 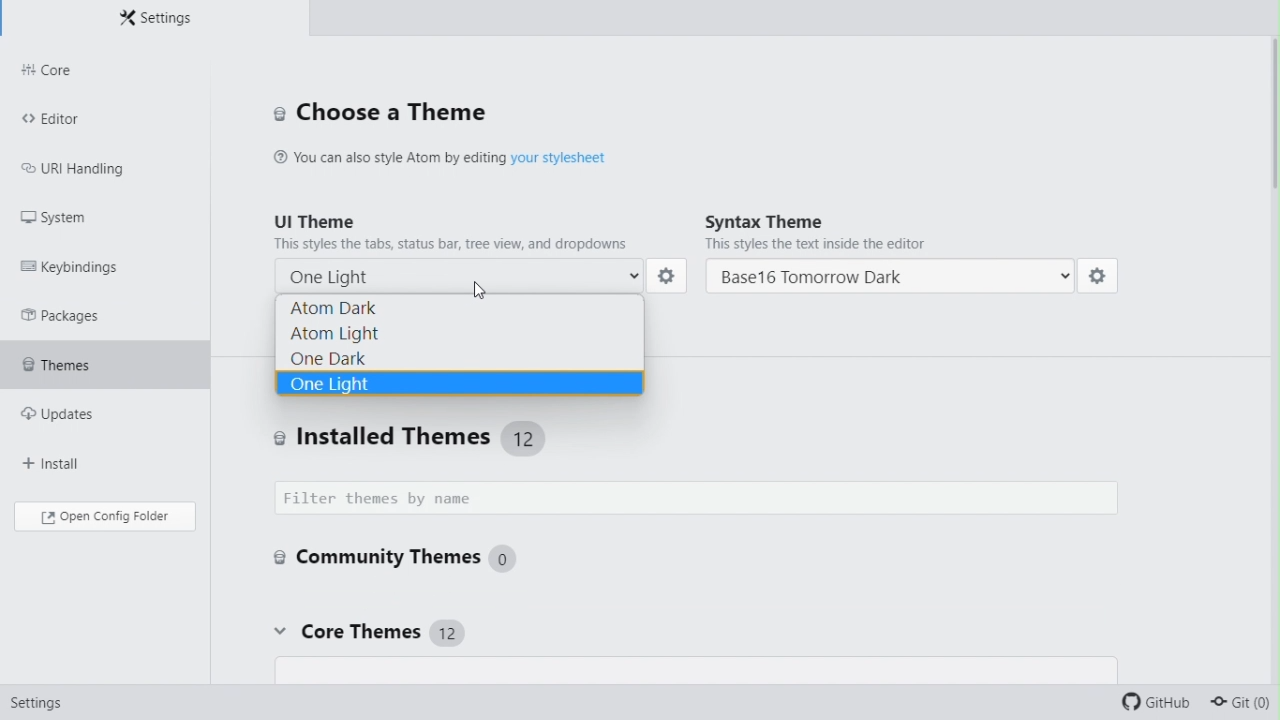 I want to click on Editor, so click(x=103, y=117).